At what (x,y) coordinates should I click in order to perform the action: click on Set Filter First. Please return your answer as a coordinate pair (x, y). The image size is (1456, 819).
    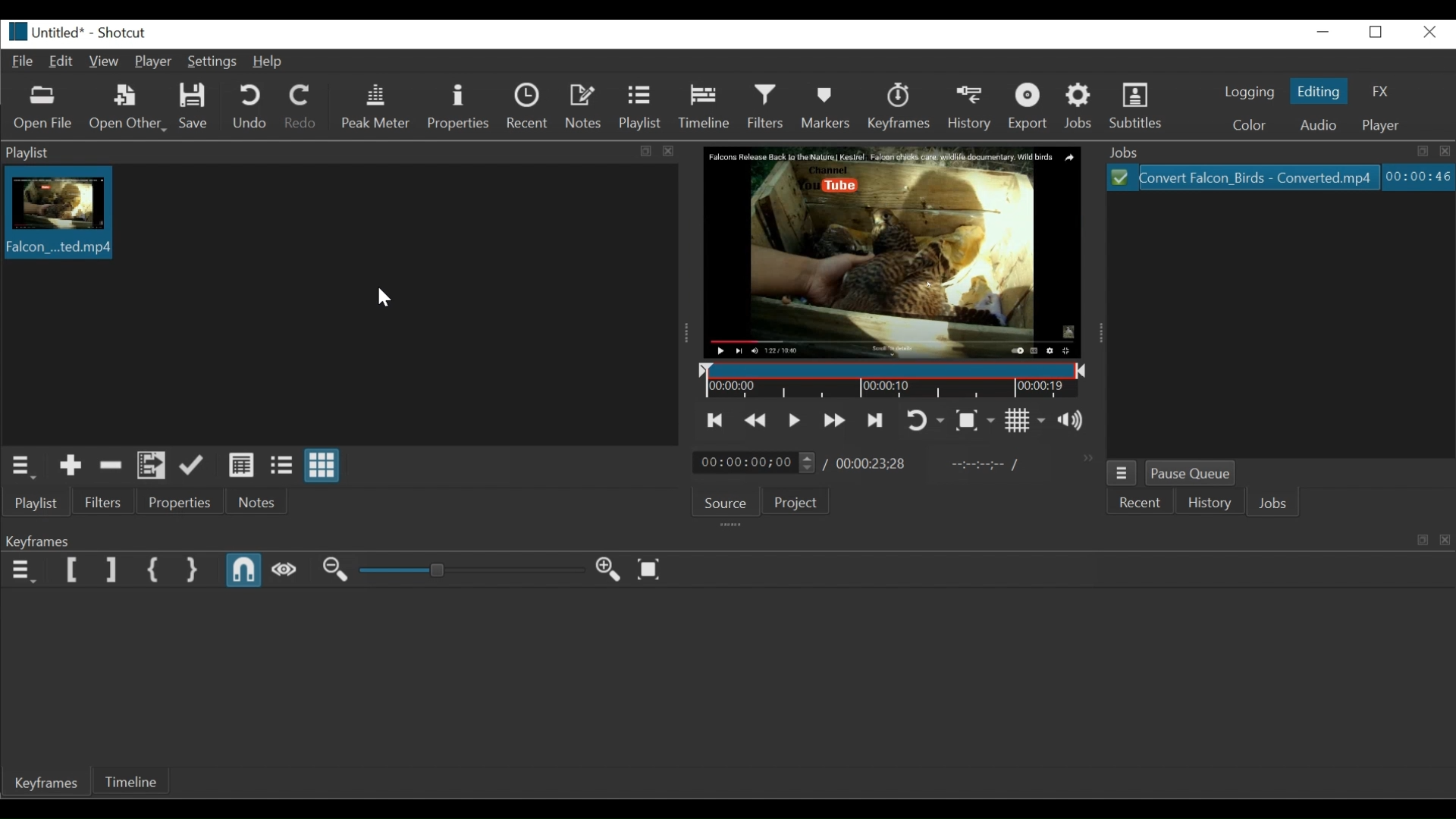
    Looking at the image, I should click on (74, 570).